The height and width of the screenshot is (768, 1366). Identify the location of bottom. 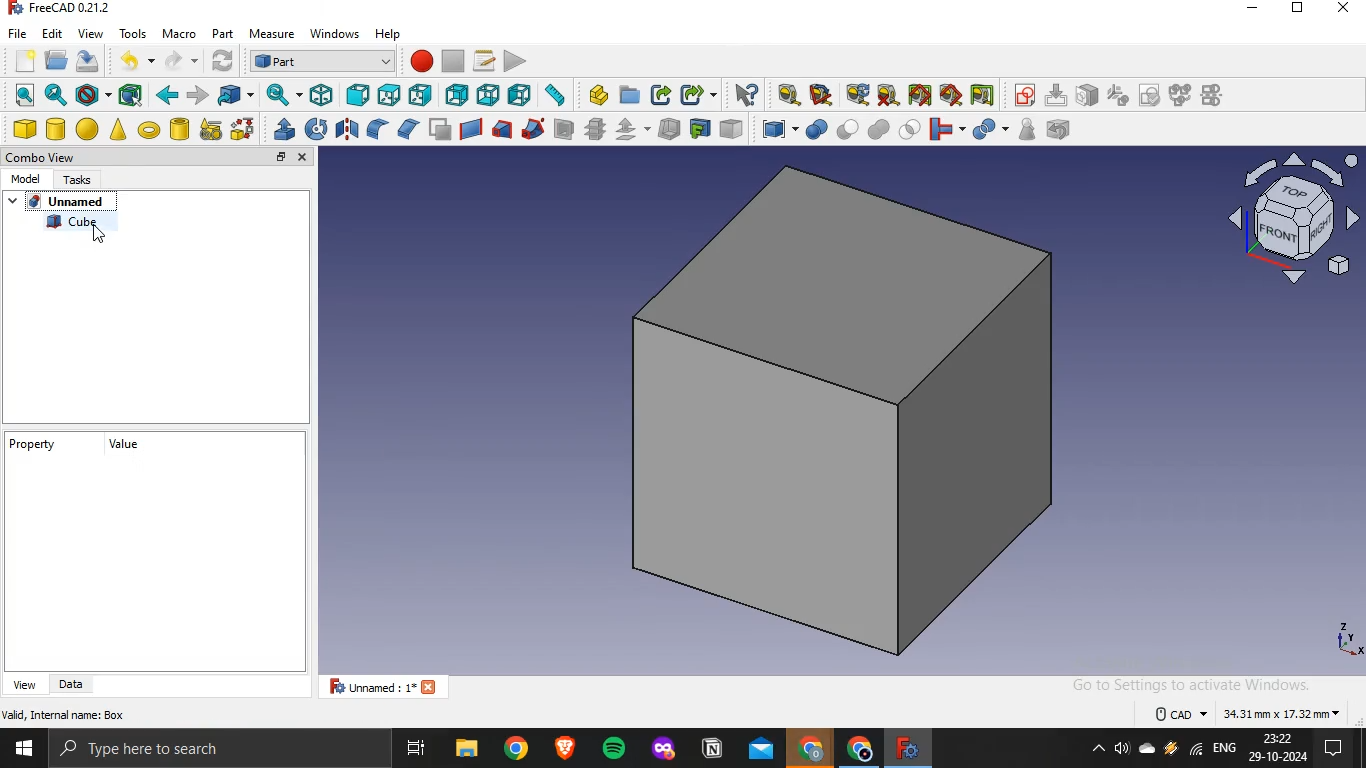
(489, 95).